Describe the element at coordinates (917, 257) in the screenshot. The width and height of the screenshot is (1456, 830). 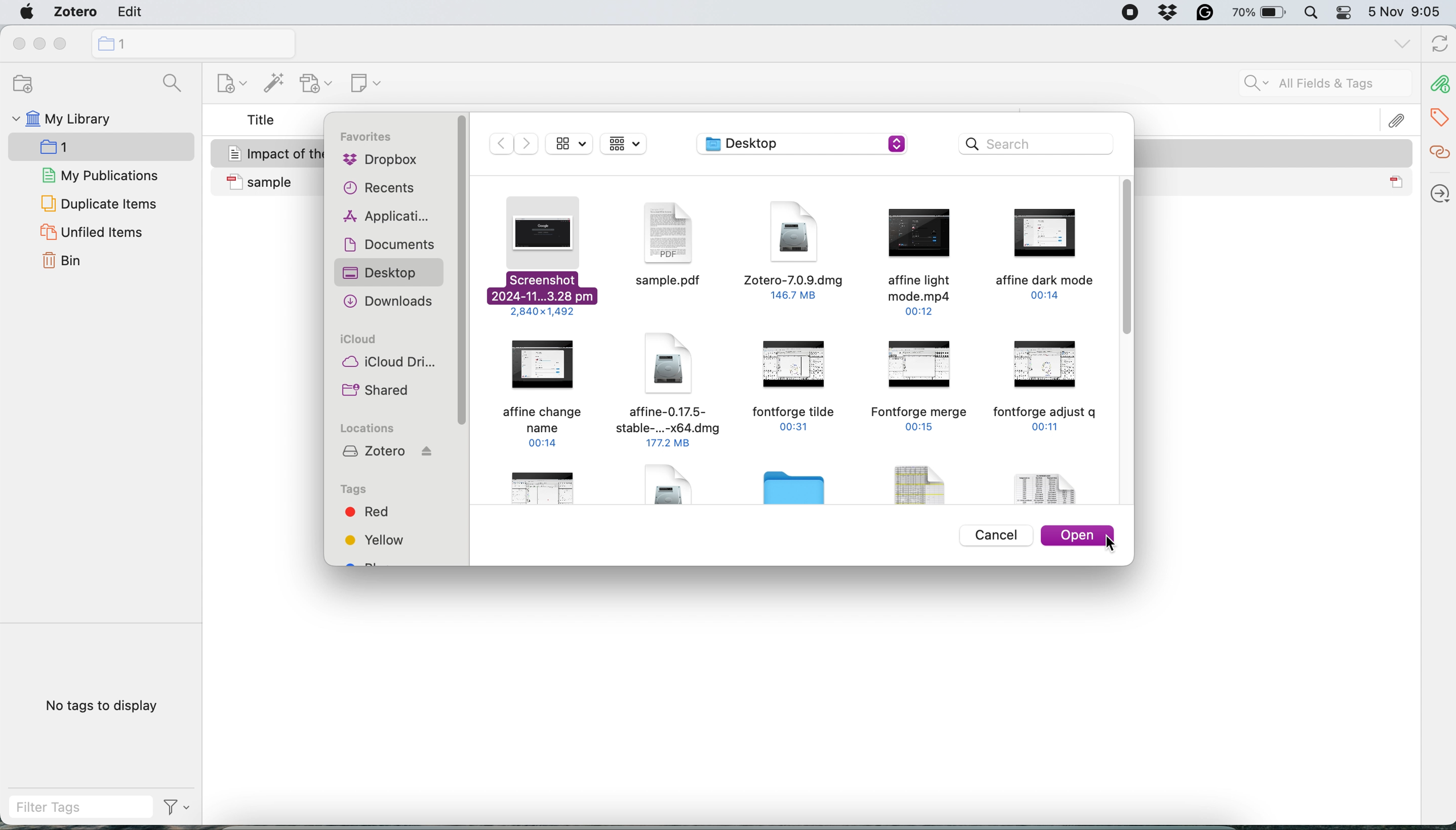
I see `Affine light mode.mp4` at that location.